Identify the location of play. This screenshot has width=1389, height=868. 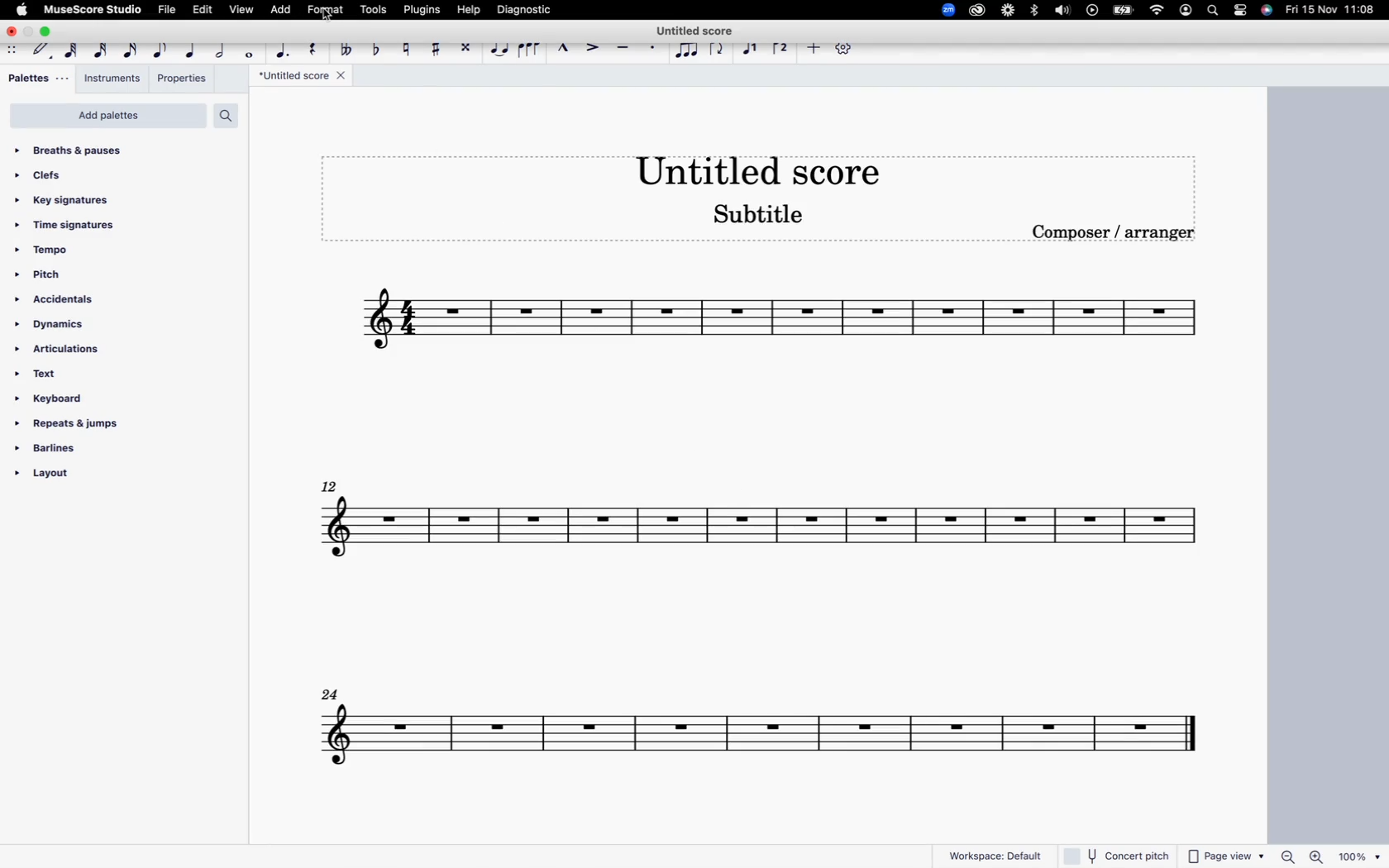
(1092, 11).